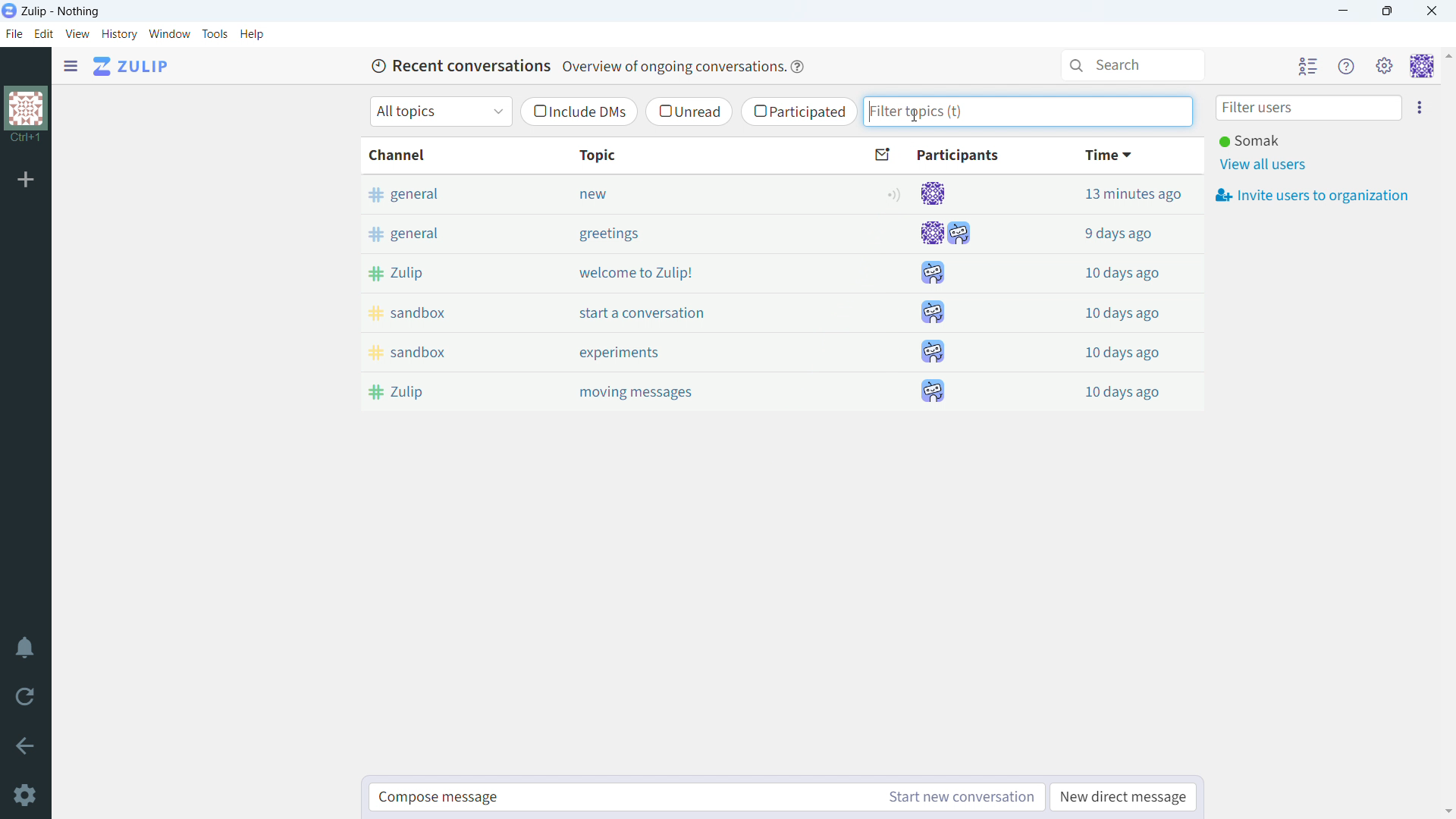 This screenshot has height=819, width=1456. What do you see at coordinates (26, 108) in the screenshot?
I see `organization` at bounding box center [26, 108].